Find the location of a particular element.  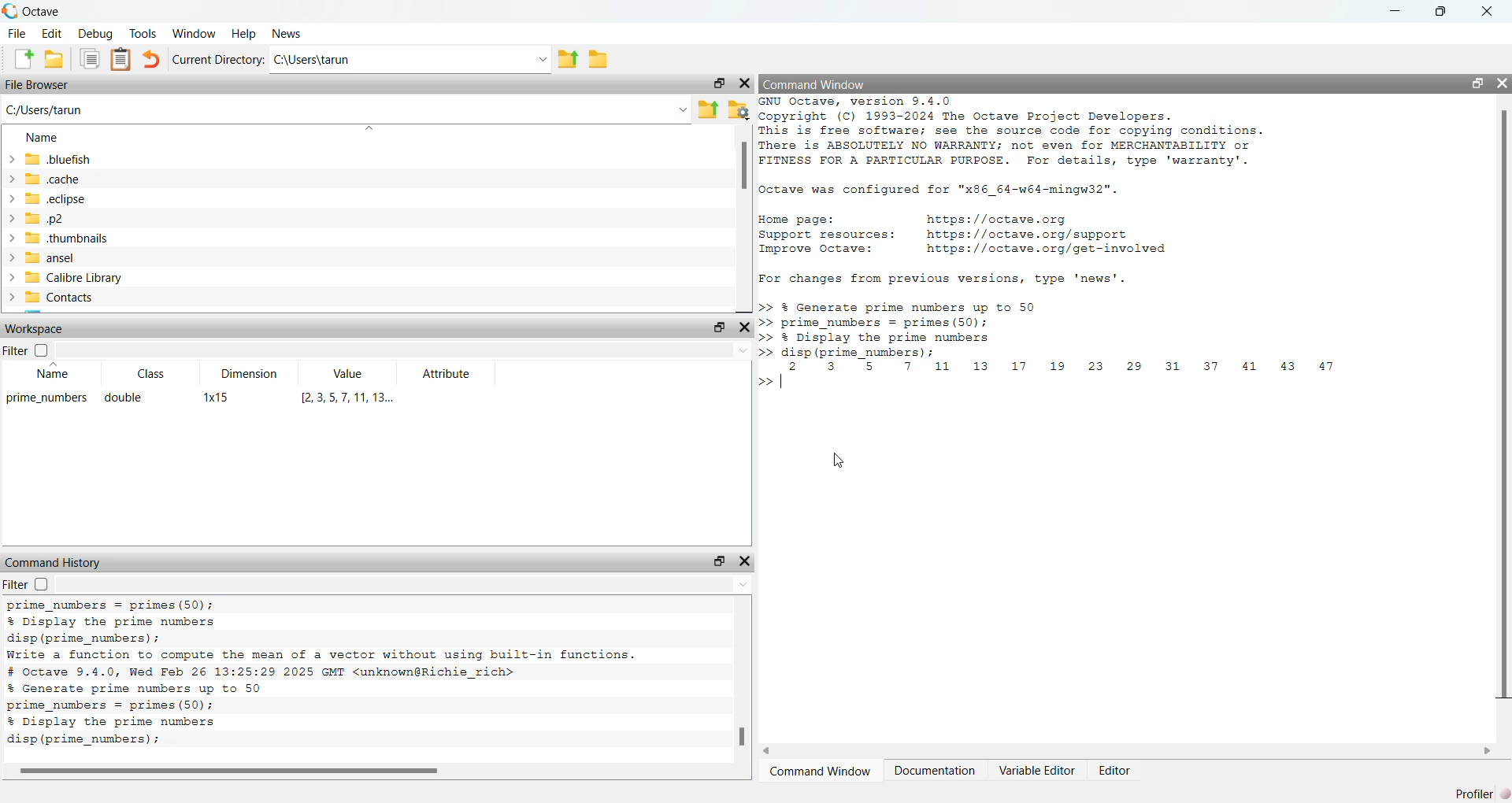

For changes from previous versions, type 'news'. is located at coordinates (943, 279).